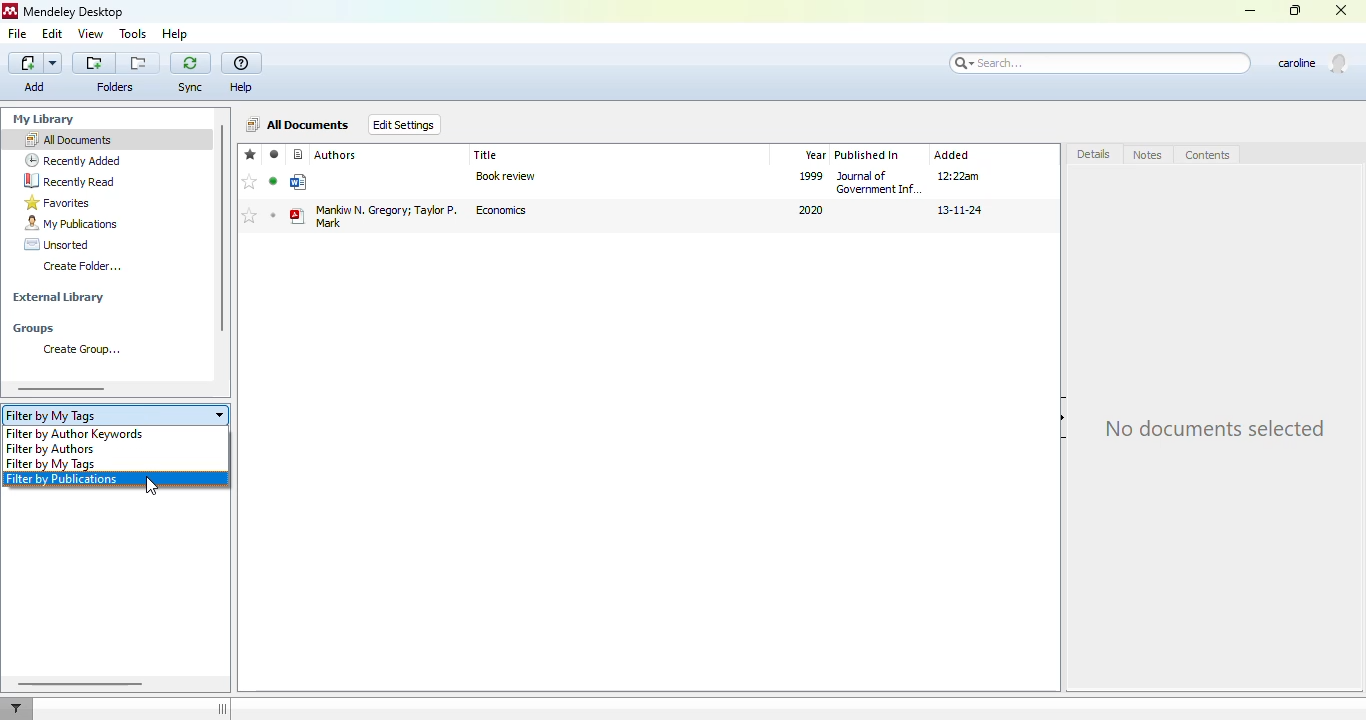 The height and width of the screenshot is (720, 1366). What do you see at coordinates (74, 434) in the screenshot?
I see `filter by author keywords` at bounding box center [74, 434].